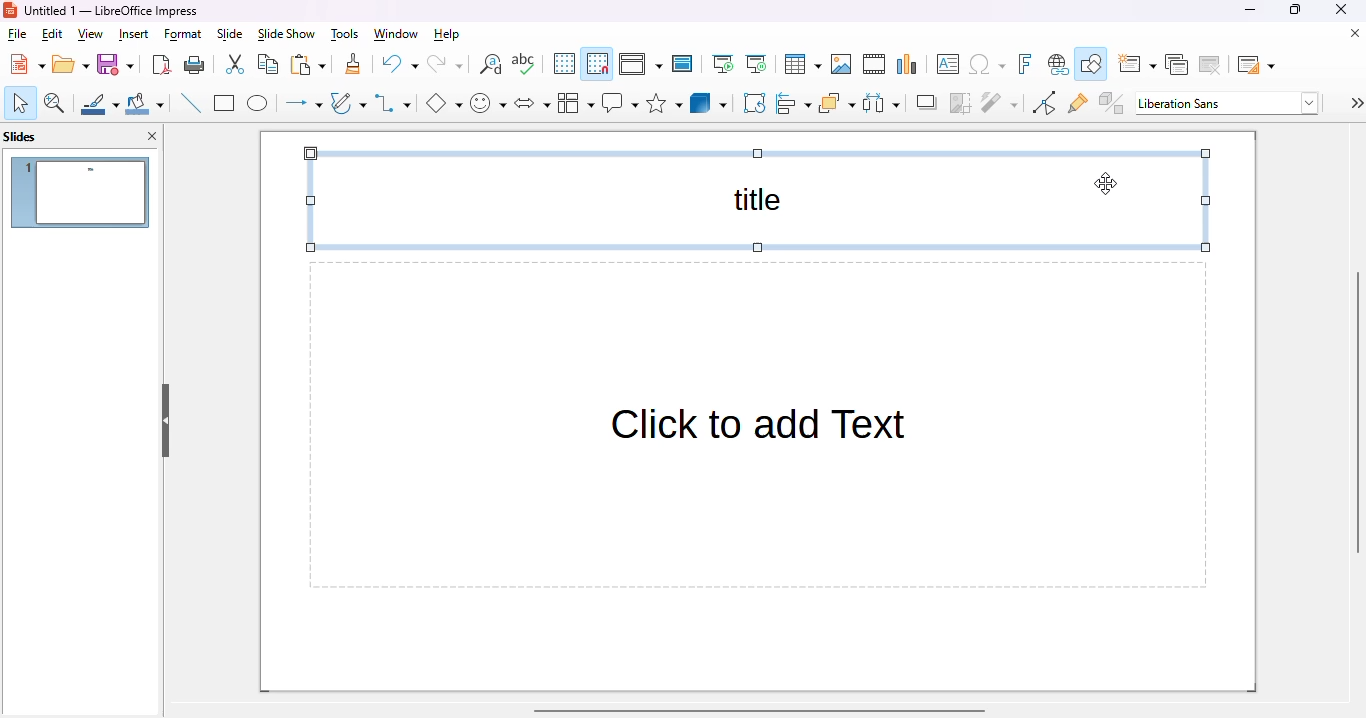 The height and width of the screenshot is (718, 1366). What do you see at coordinates (762, 709) in the screenshot?
I see `horizontal scroll bar` at bounding box center [762, 709].